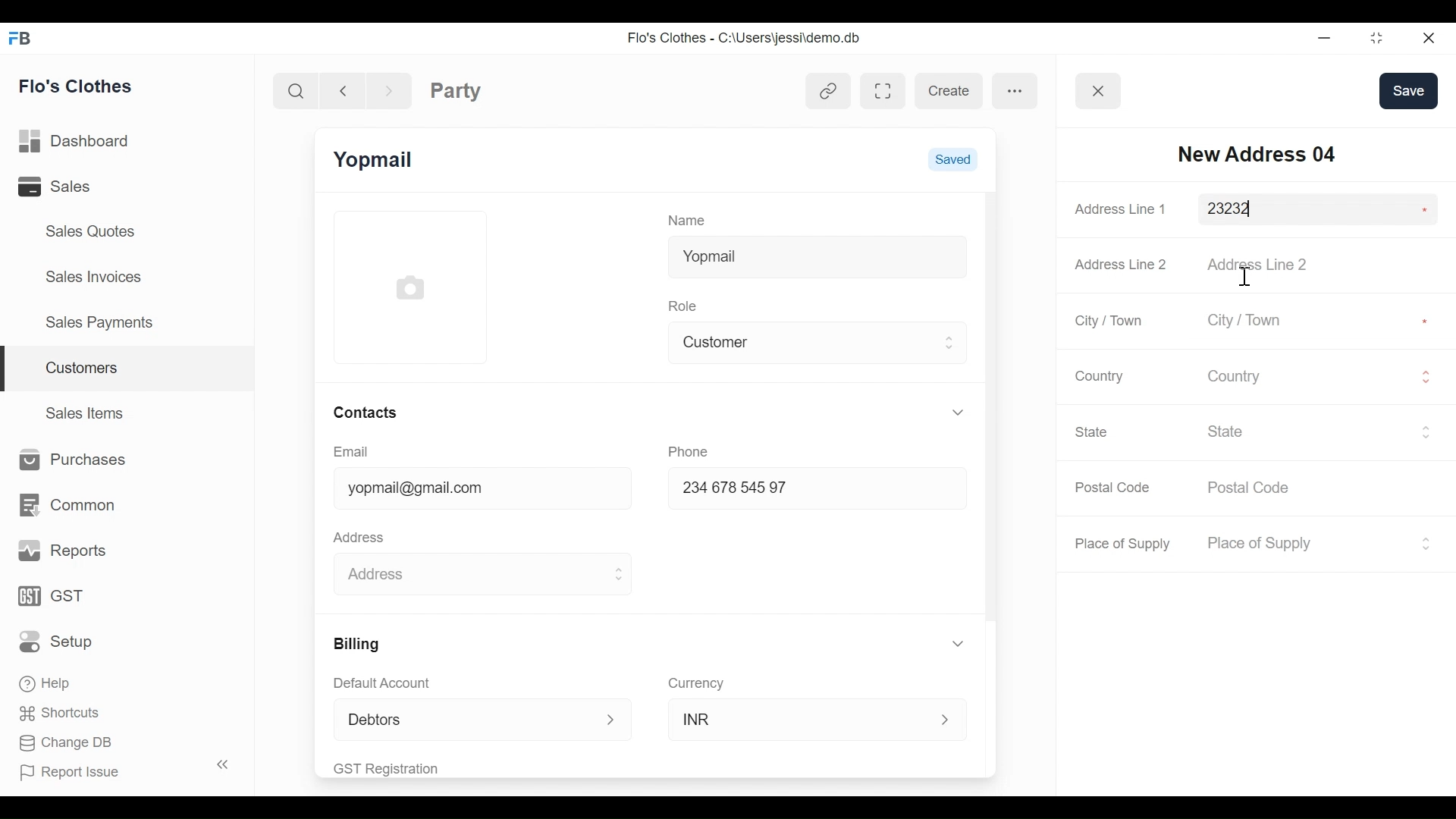  I want to click on Postal Code, so click(1115, 488).